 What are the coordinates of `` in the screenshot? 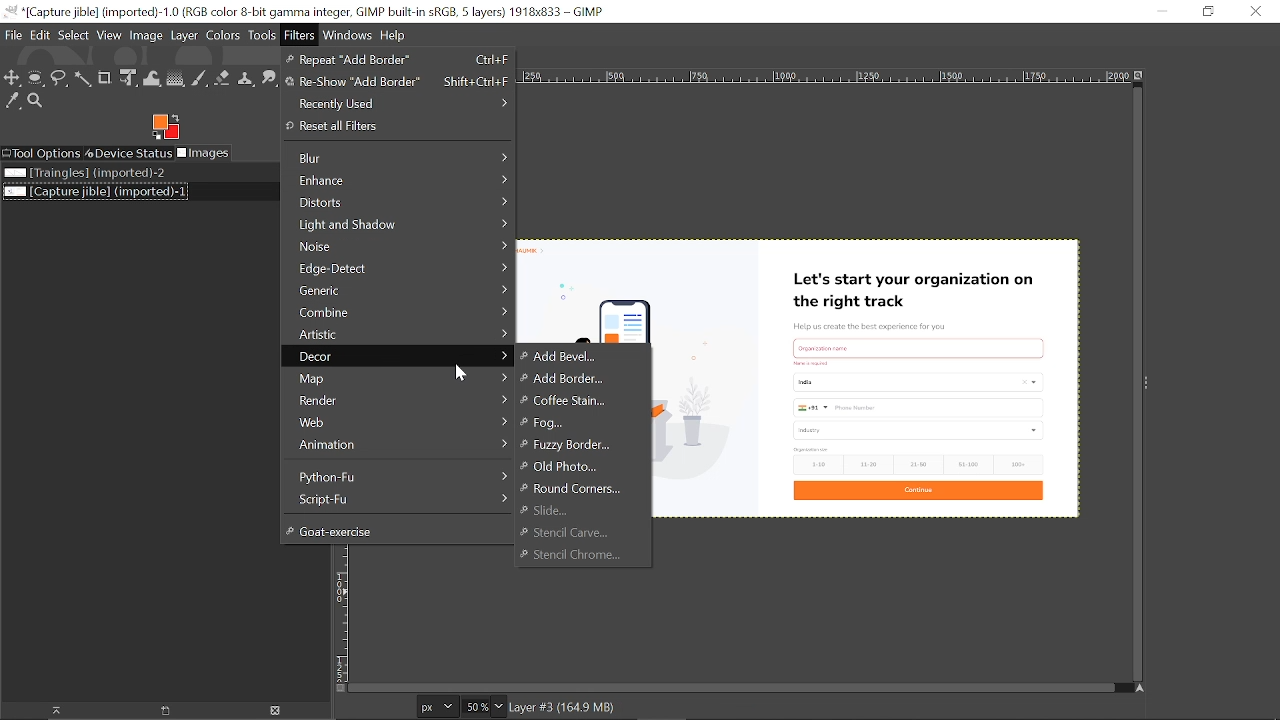 It's located at (917, 345).